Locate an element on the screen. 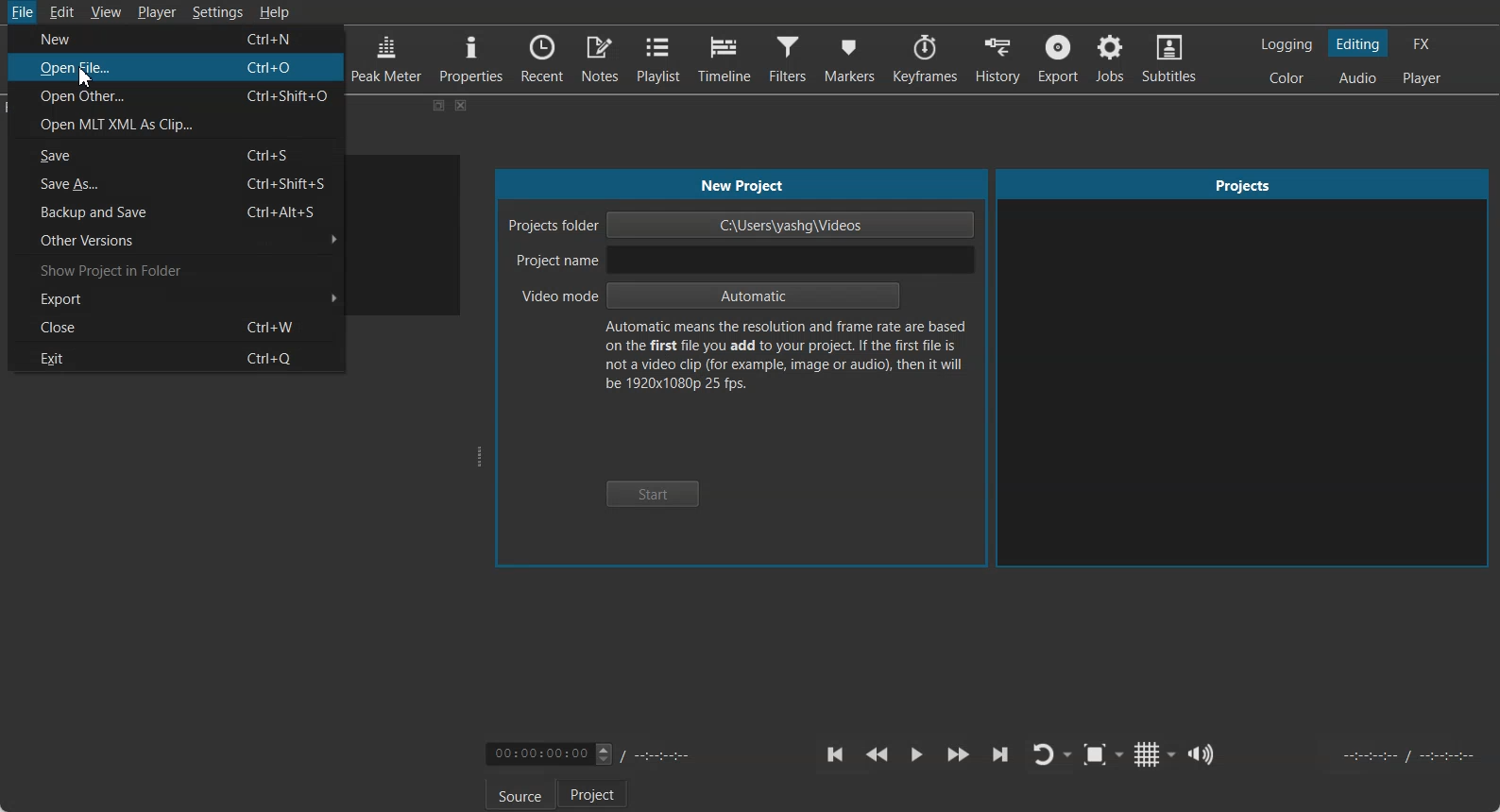 This screenshot has width=1500, height=812. C:\Users\yashg\Videos is located at coordinates (787, 225).